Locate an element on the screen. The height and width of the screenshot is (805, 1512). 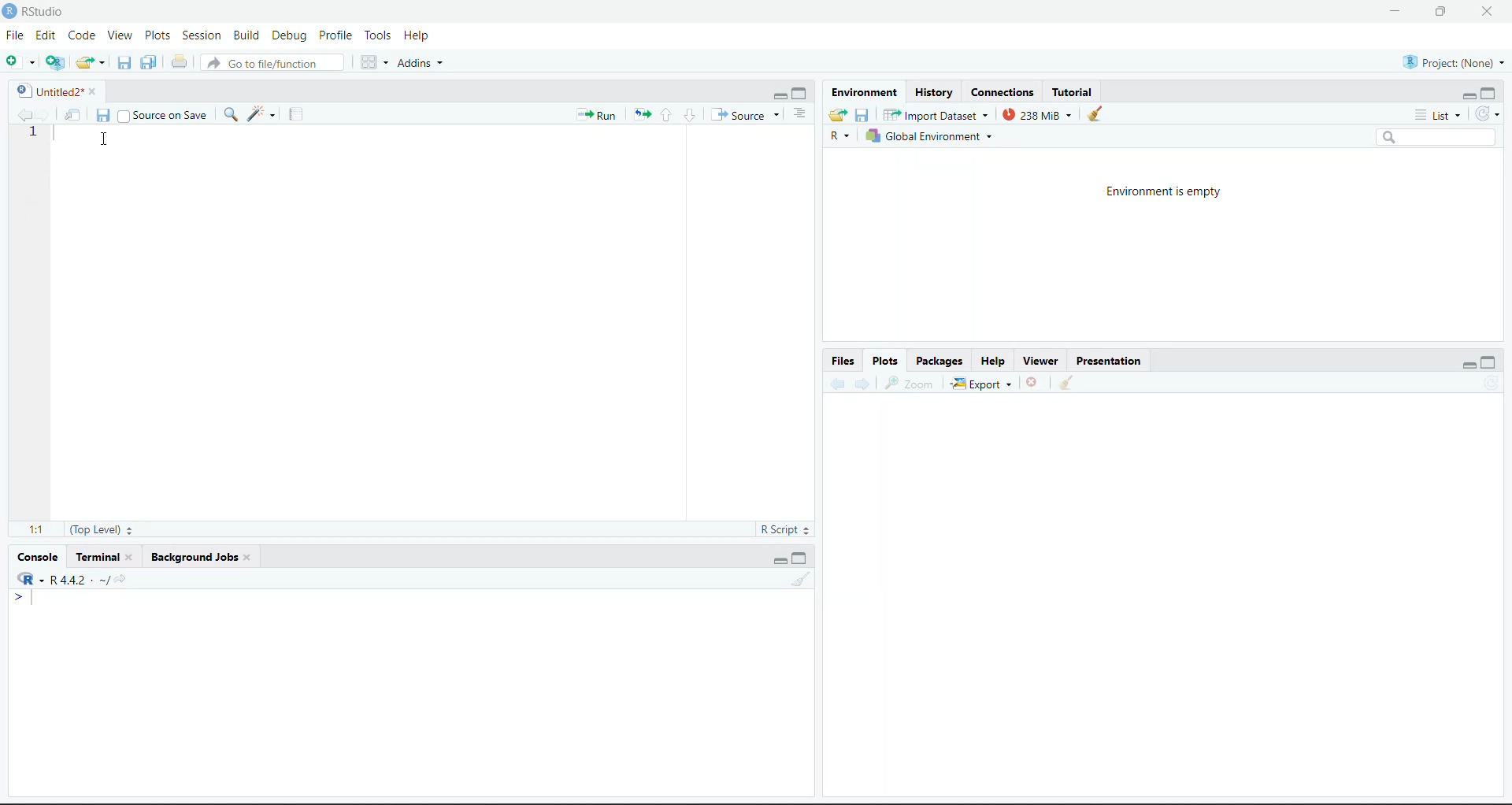
save all is located at coordinates (149, 62).